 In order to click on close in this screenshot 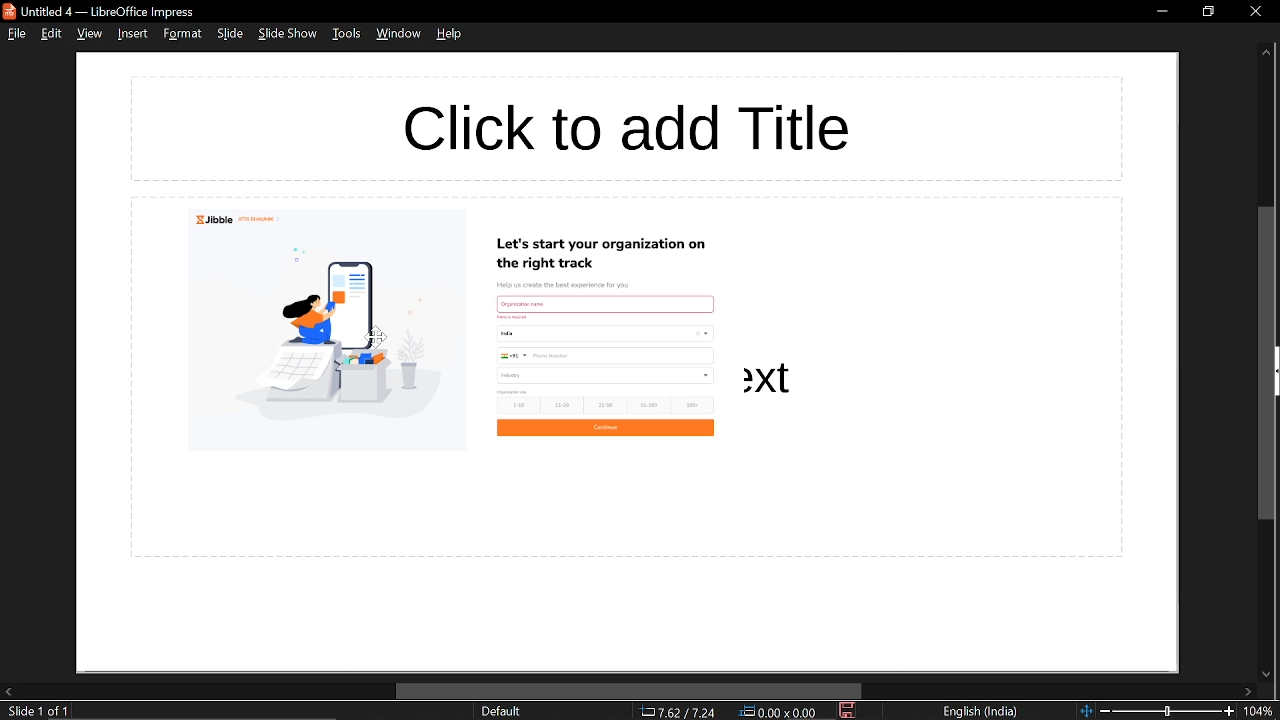, I will do `click(1255, 11)`.